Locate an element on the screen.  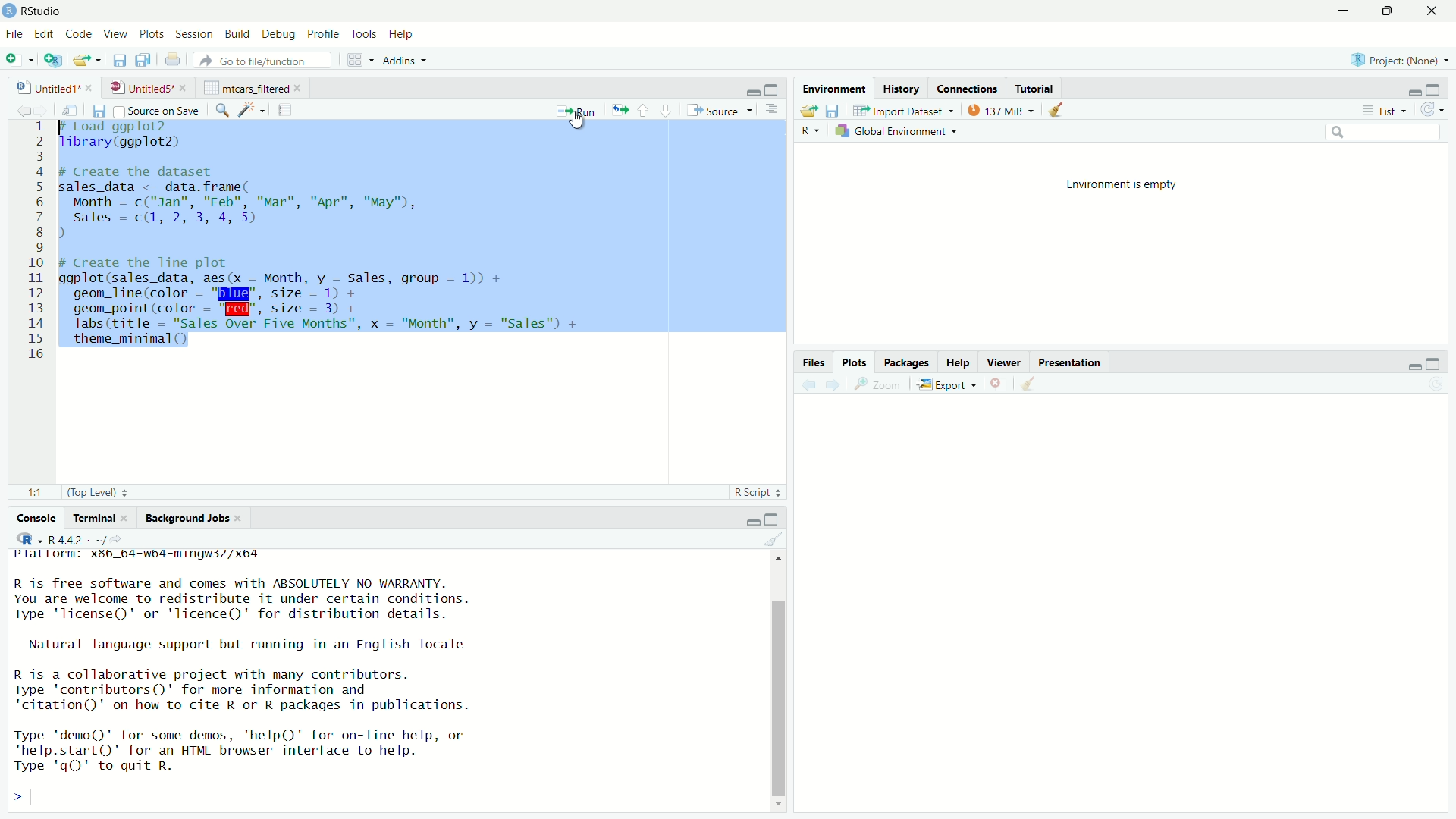
list is located at coordinates (1389, 109).